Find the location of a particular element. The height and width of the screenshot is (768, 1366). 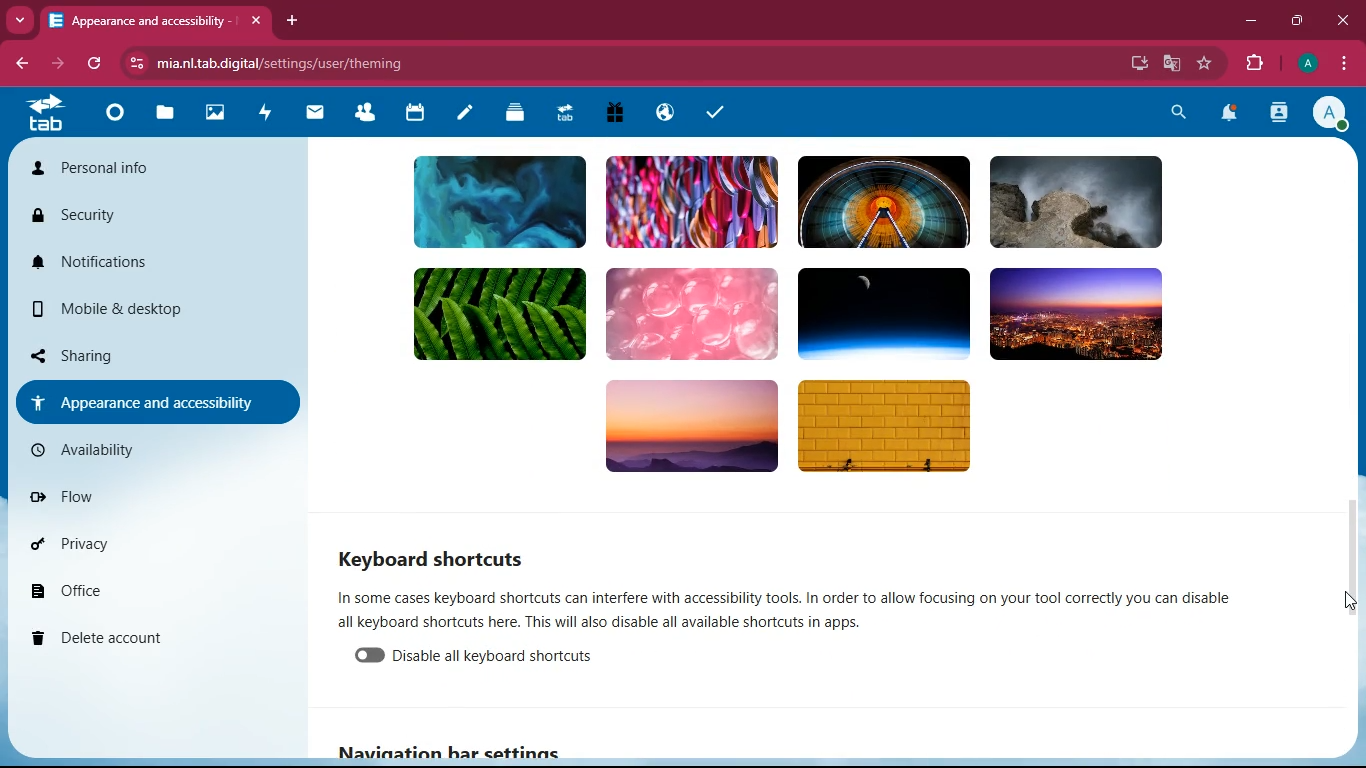

profile is located at coordinates (1326, 112).